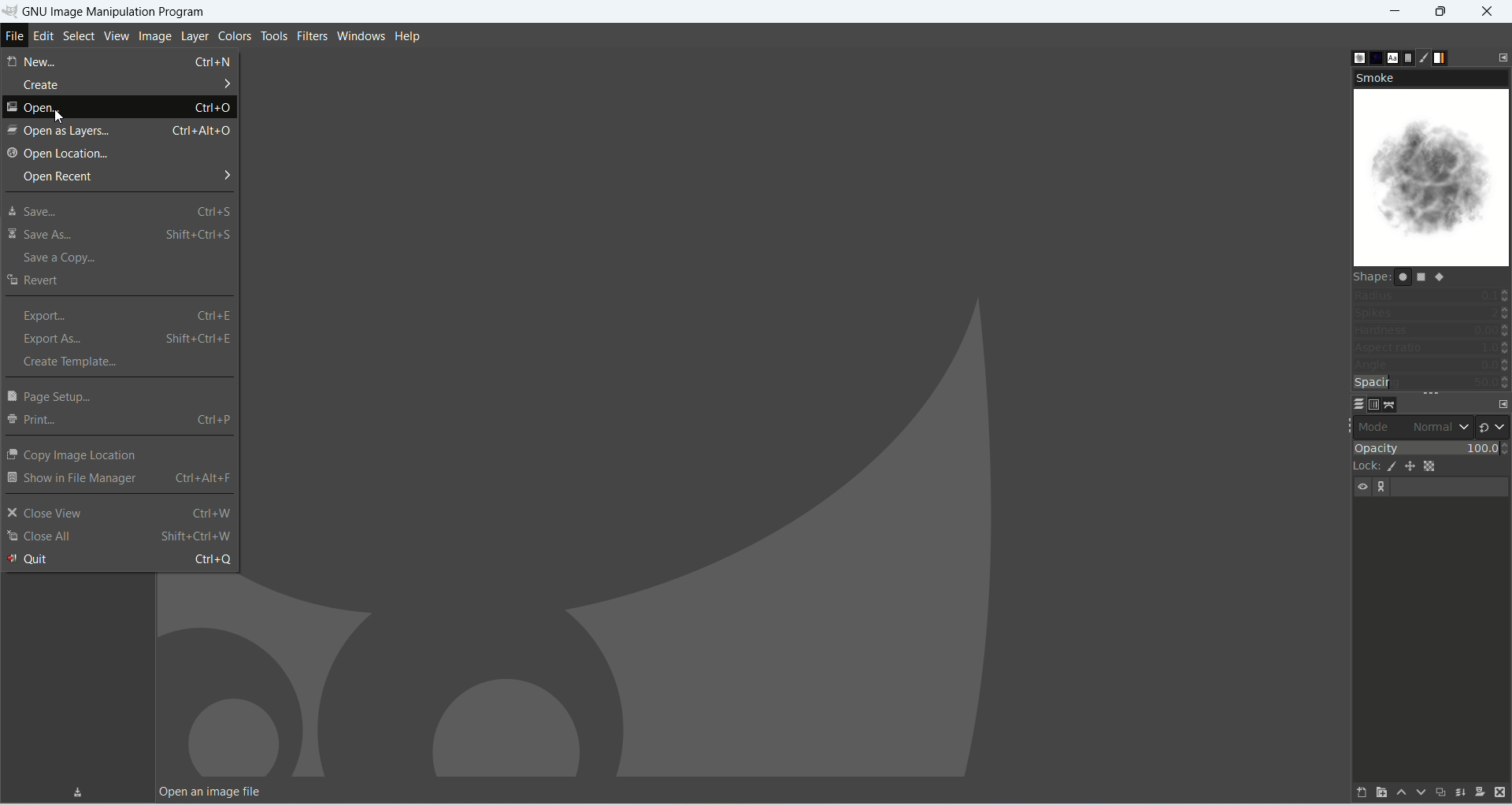  I want to click on close, so click(1491, 9).